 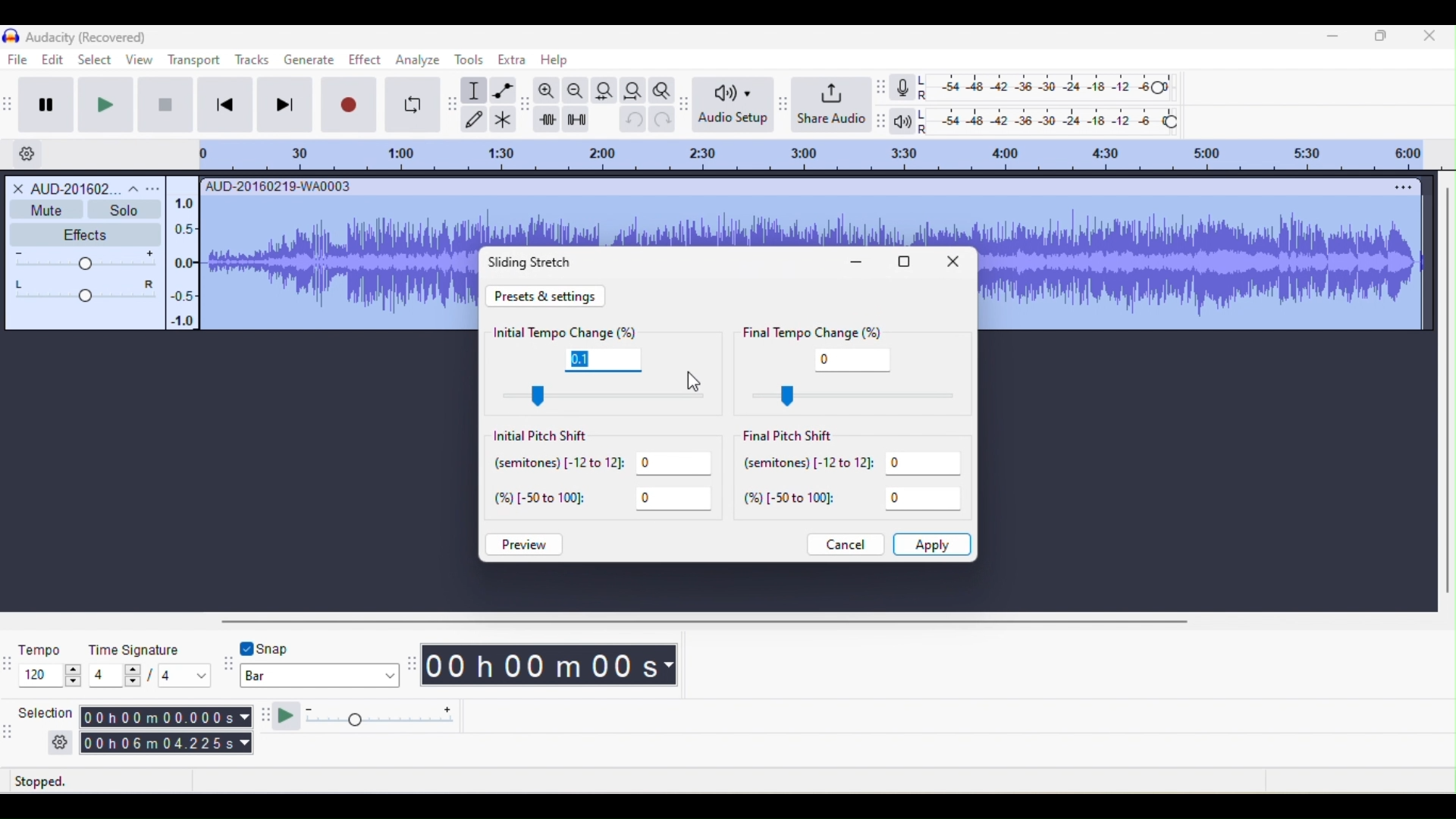 I want to click on bar, so click(x=319, y=676).